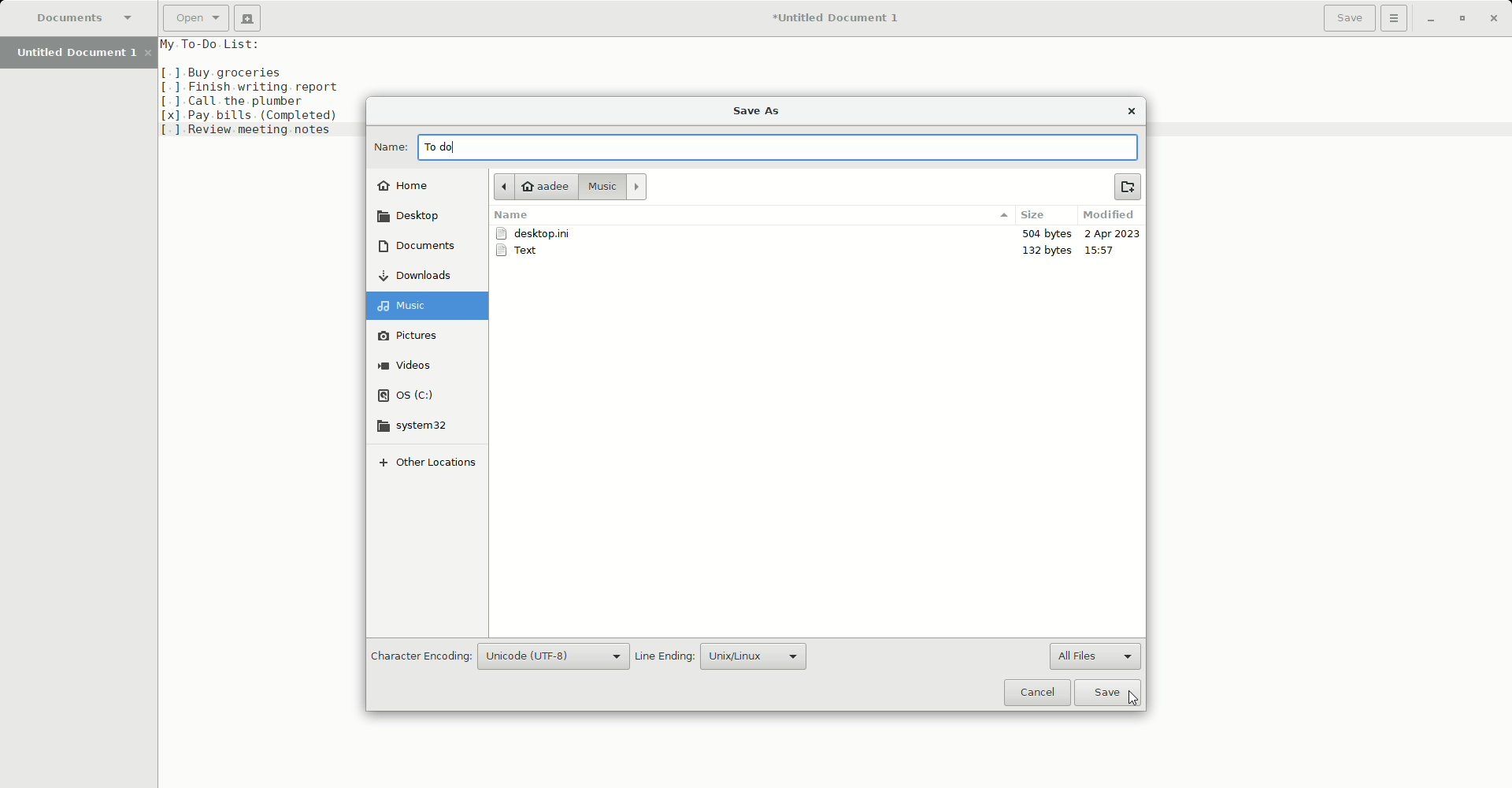 This screenshot has width=1512, height=788. Describe the element at coordinates (613, 187) in the screenshot. I see `Music` at that location.